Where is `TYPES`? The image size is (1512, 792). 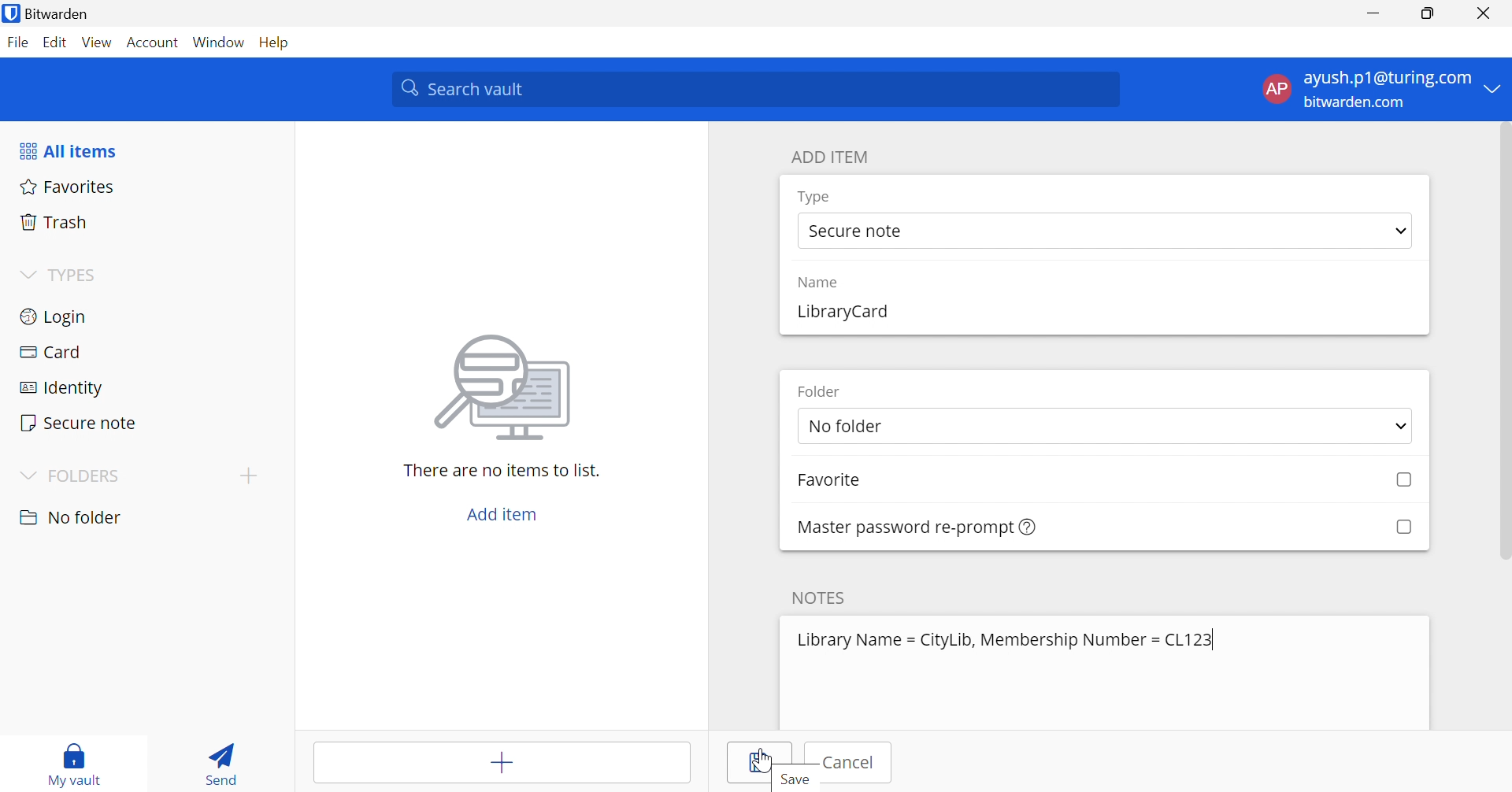
TYPES is located at coordinates (63, 275).